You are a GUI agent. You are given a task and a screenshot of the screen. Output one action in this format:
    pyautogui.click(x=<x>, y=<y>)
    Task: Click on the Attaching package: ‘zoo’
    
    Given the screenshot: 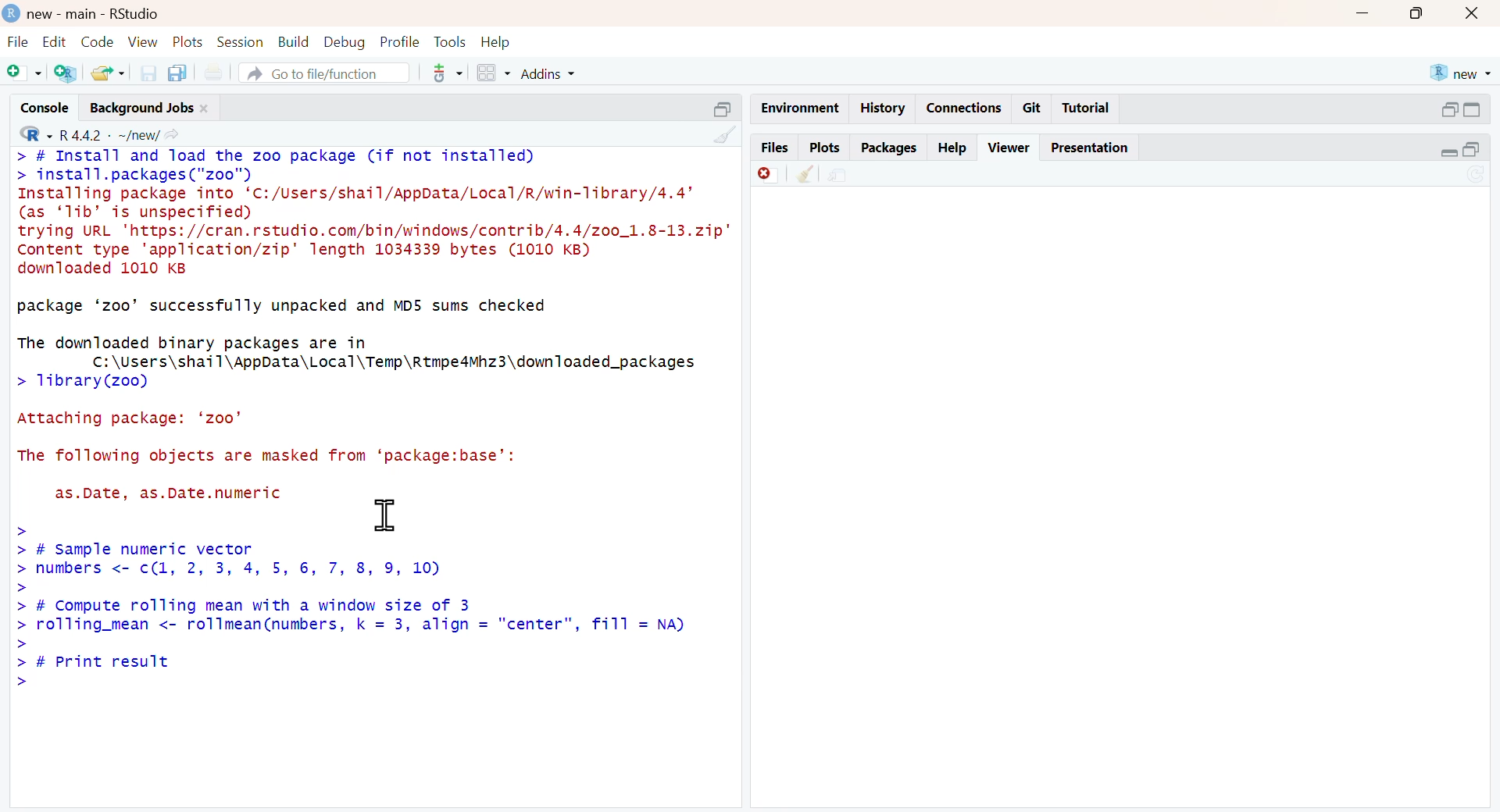 What is the action you would take?
    pyautogui.click(x=130, y=418)
    